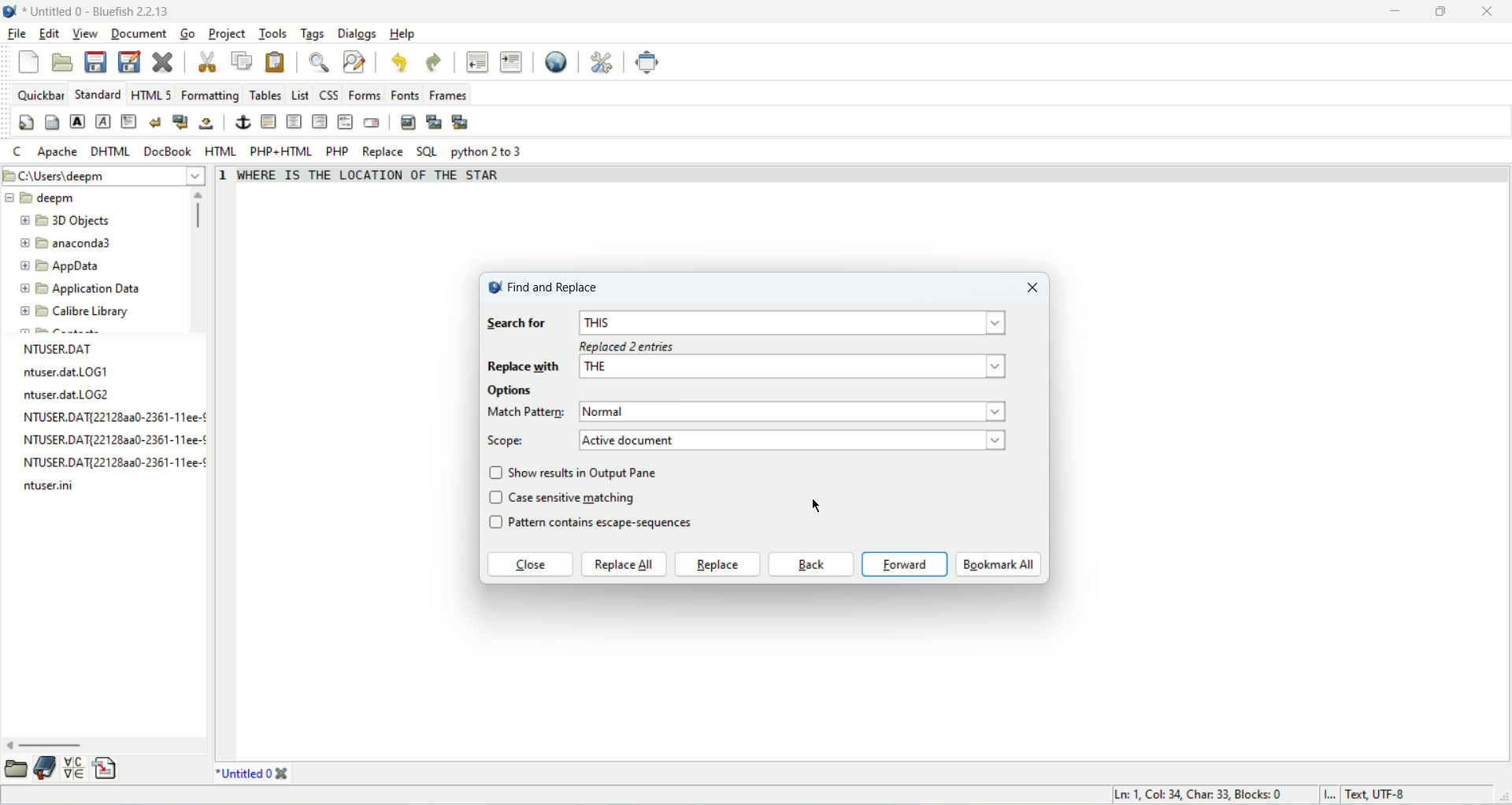 Image resolution: width=1512 pixels, height=805 pixels. What do you see at coordinates (406, 95) in the screenshot?
I see `fonts` at bounding box center [406, 95].